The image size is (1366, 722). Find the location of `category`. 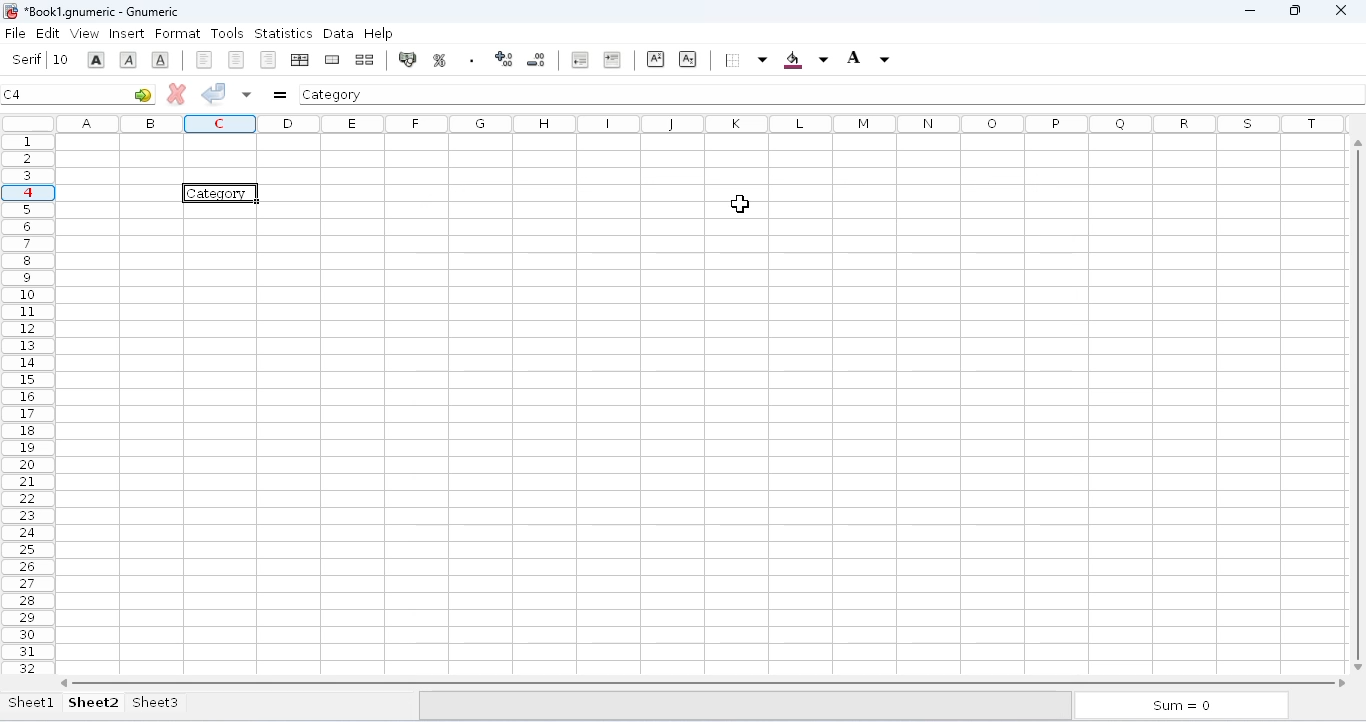

category is located at coordinates (219, 193).